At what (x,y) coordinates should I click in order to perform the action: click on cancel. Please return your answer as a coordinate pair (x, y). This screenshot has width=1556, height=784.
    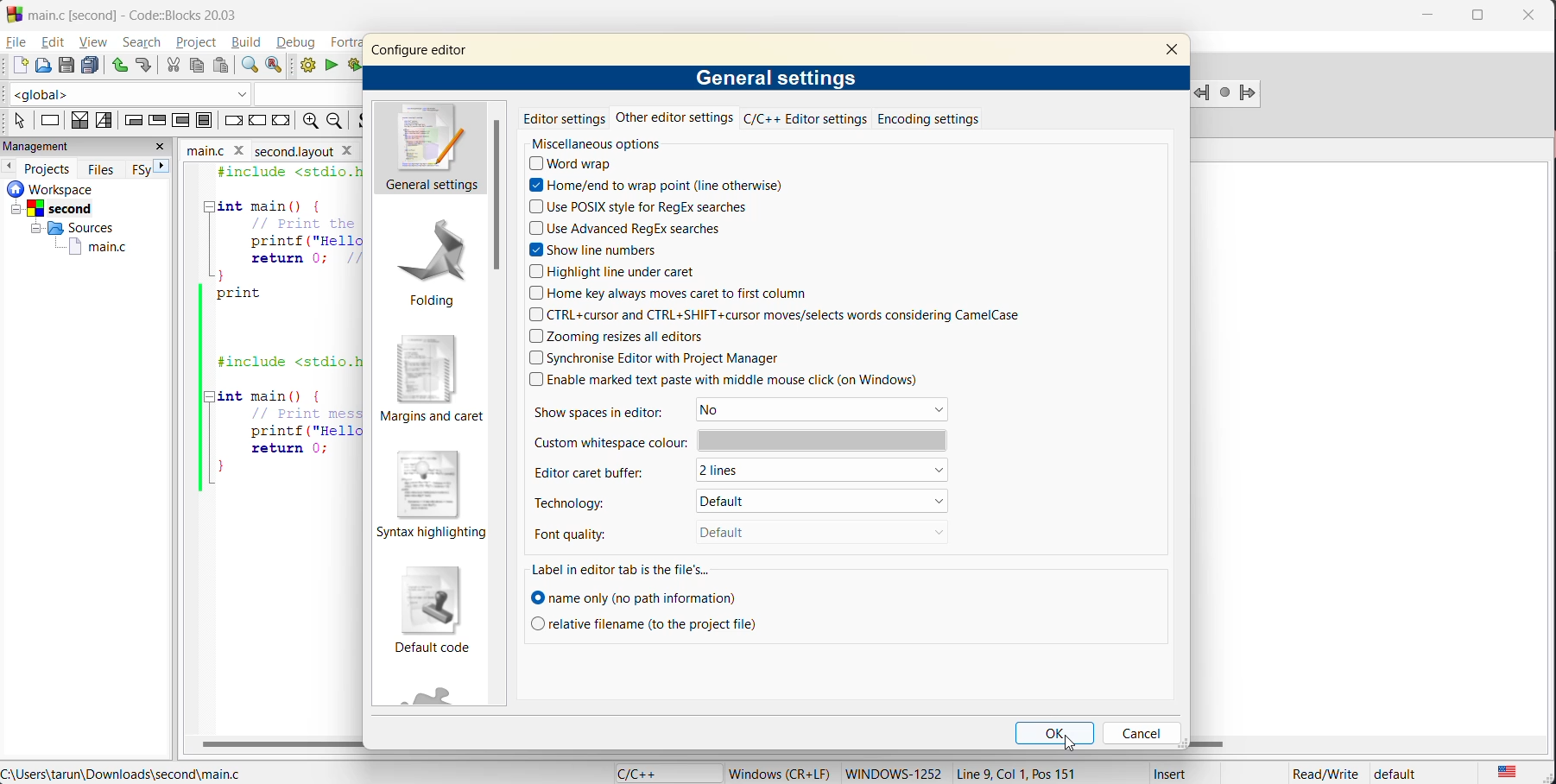
    Looking at the image, I should click on (1143, 730).